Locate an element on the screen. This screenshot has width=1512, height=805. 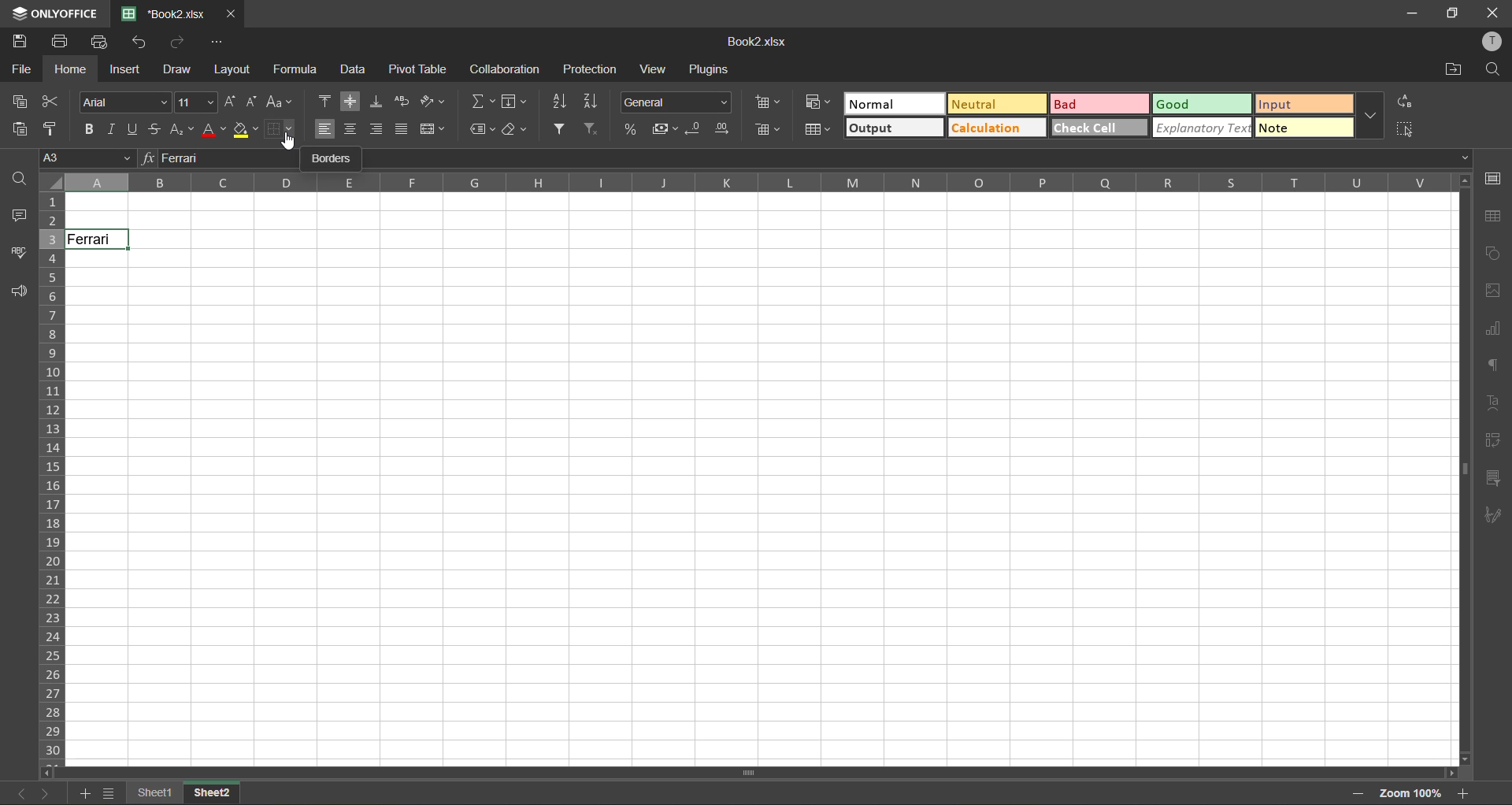
font color is located at coordinates (213, 128).